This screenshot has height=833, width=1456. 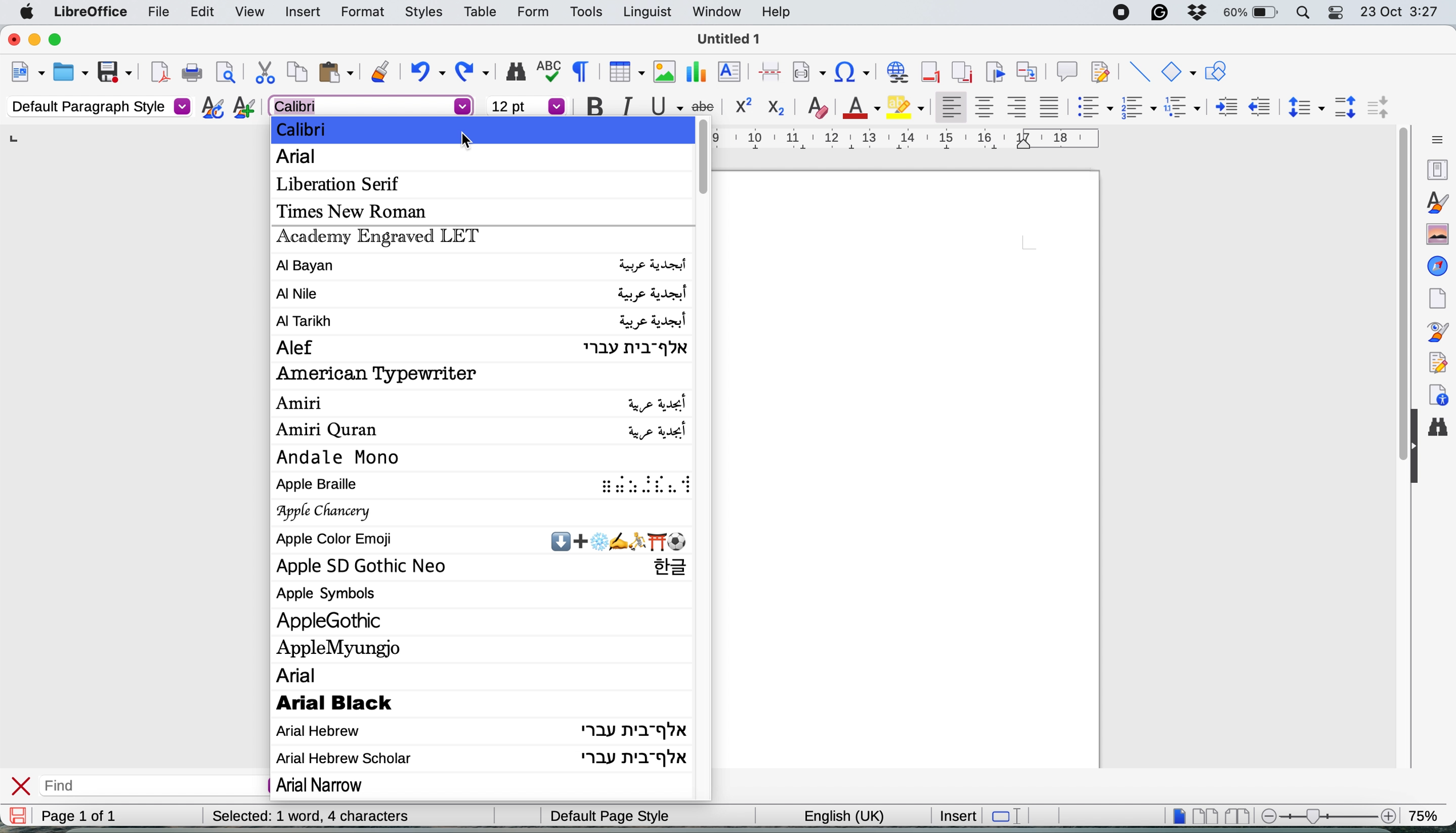 I want to click on justified, so click(x=1050, y=106).